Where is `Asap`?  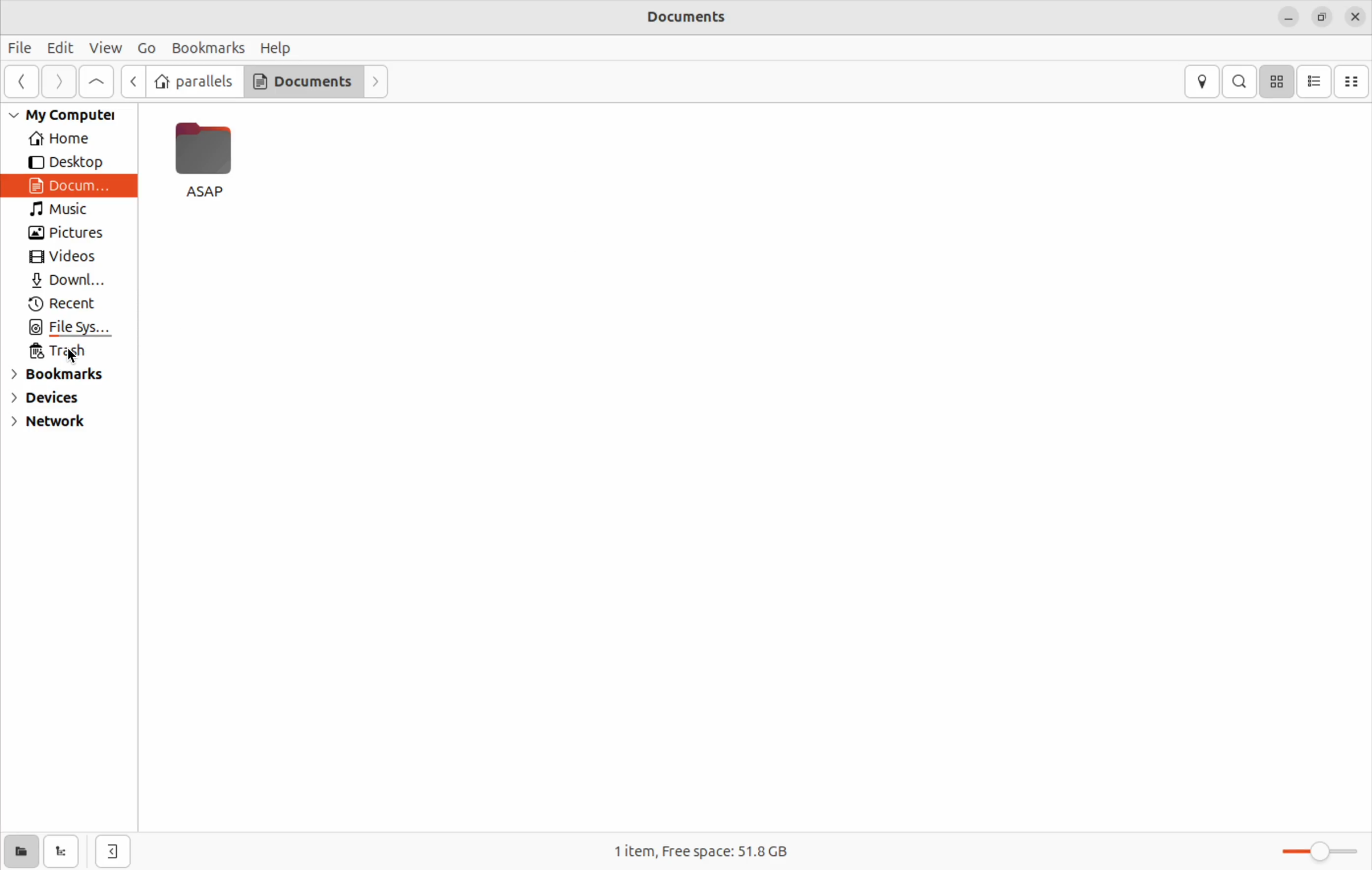 Asap is located at coordinates (205, 165).